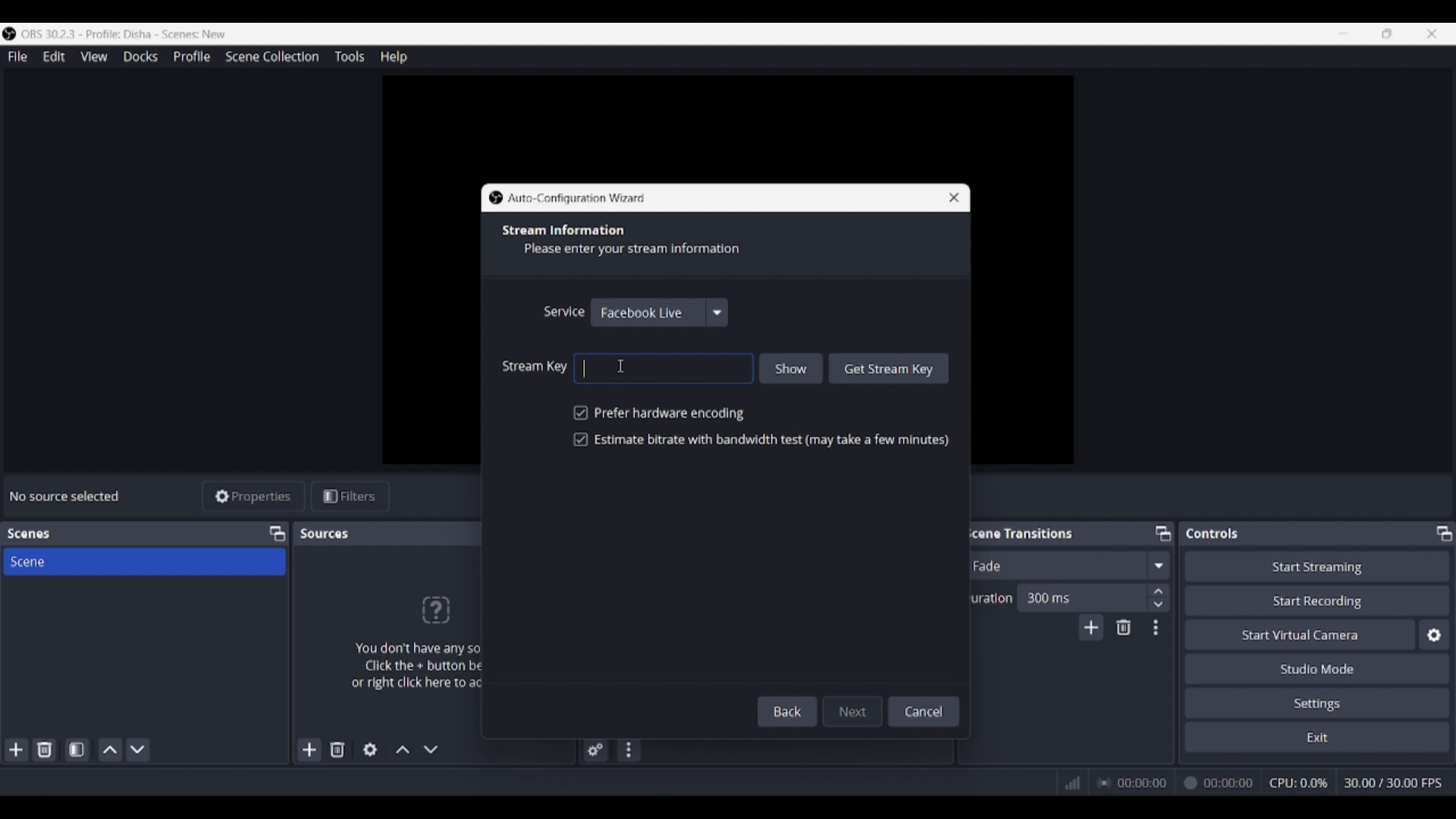 Image resolution: width=1456 pixels, height=819 pixels. I want to click on Open scene filters, so click(77, 749).